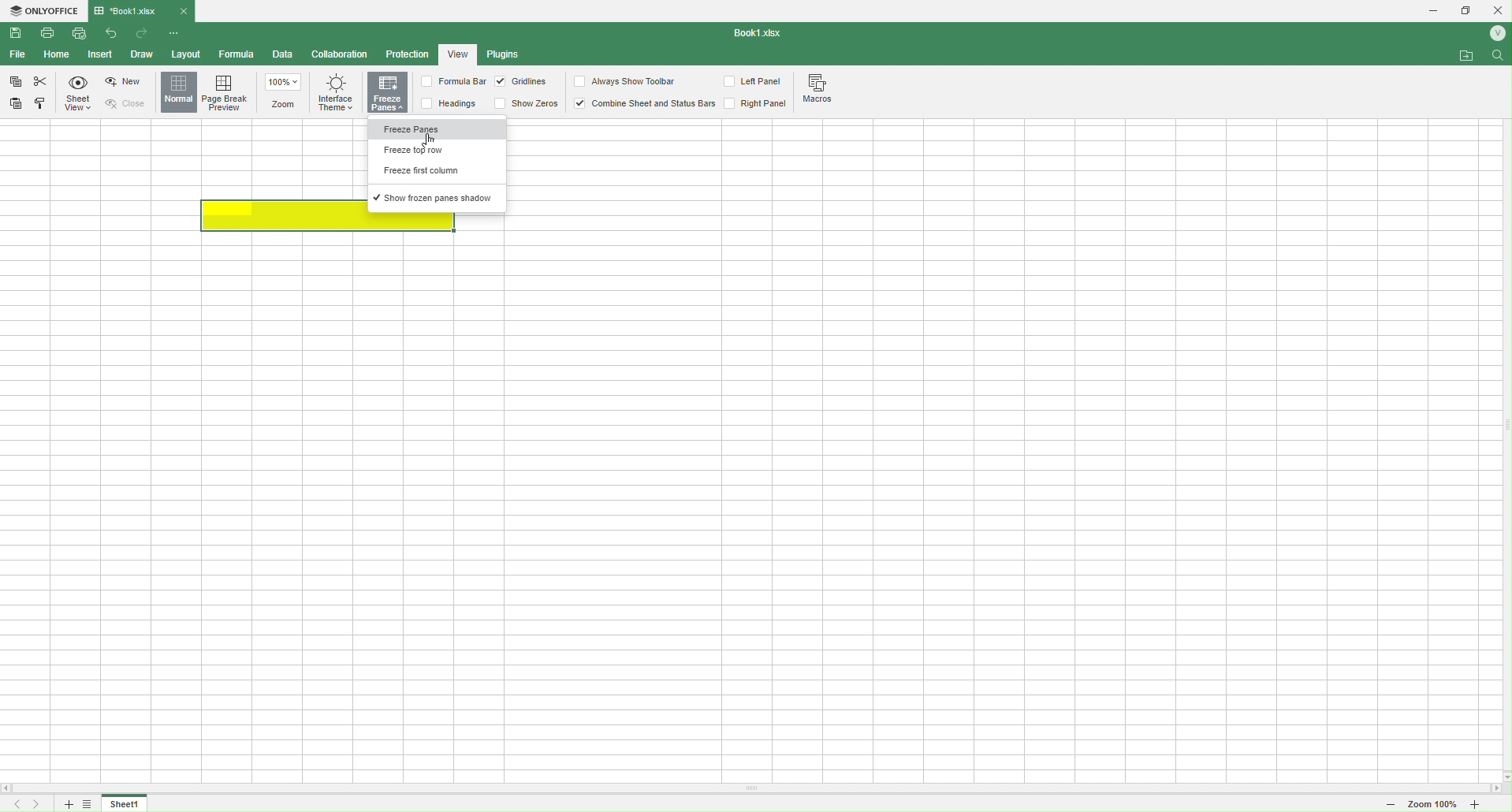 The width and height of the screenshot is (1512, 812). What do you see at coordinates (452, 82) in the screenshot?
I see `Formula Bar` at bounding box center [452, 82].